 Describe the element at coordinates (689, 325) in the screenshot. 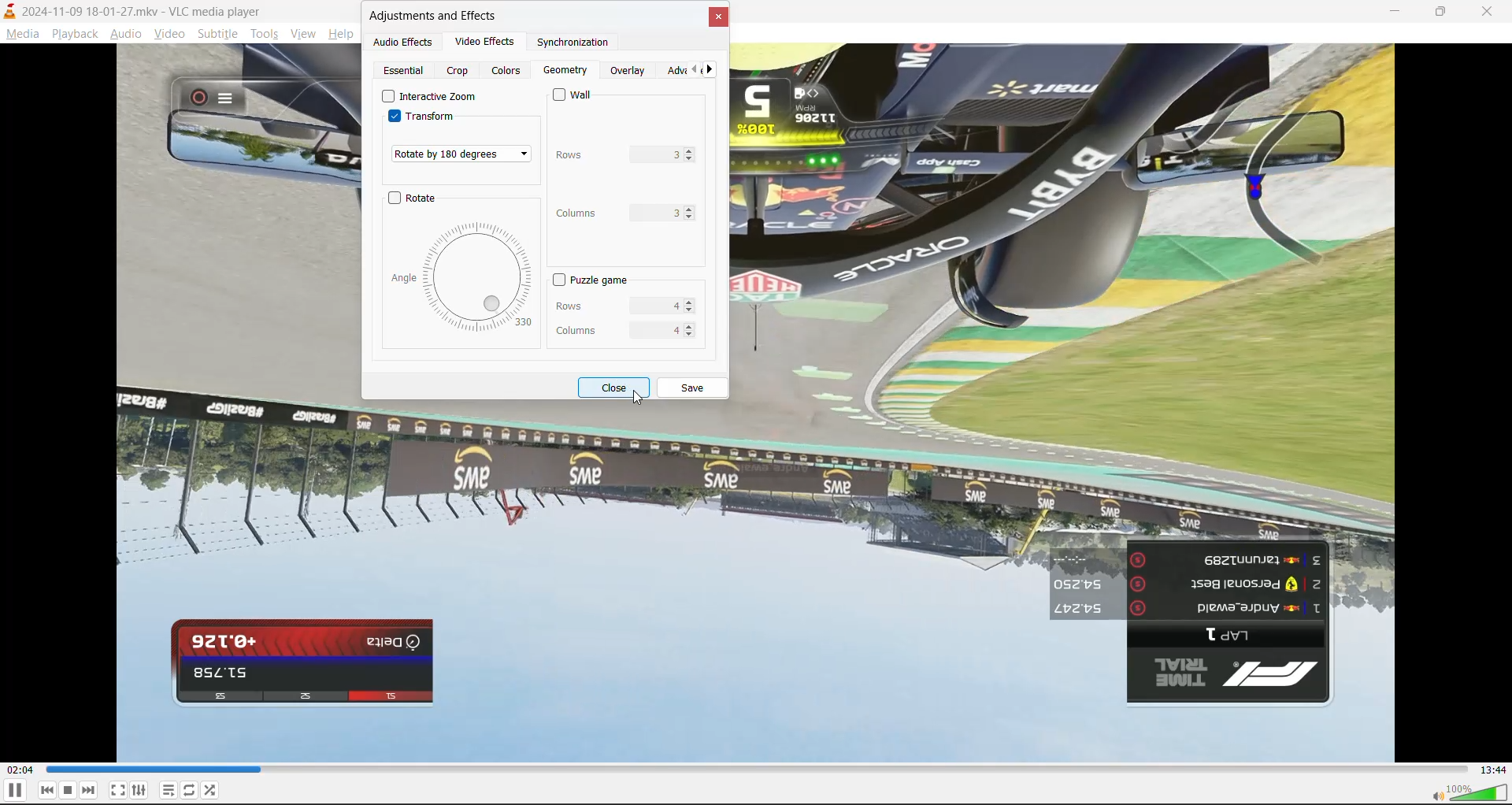

I see `Increase` at that location.